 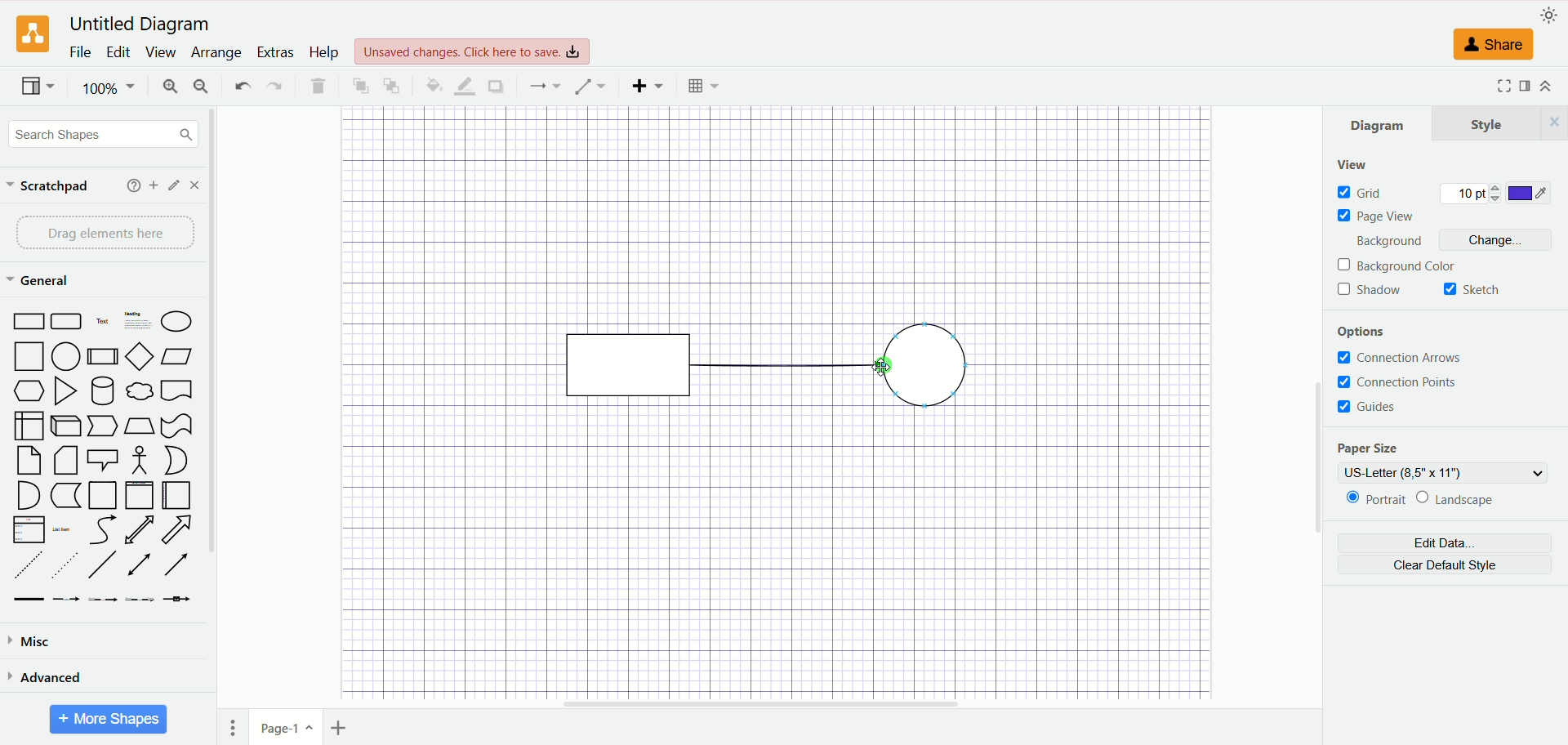 I want to click on sketch, so click(x=1472, y=289).